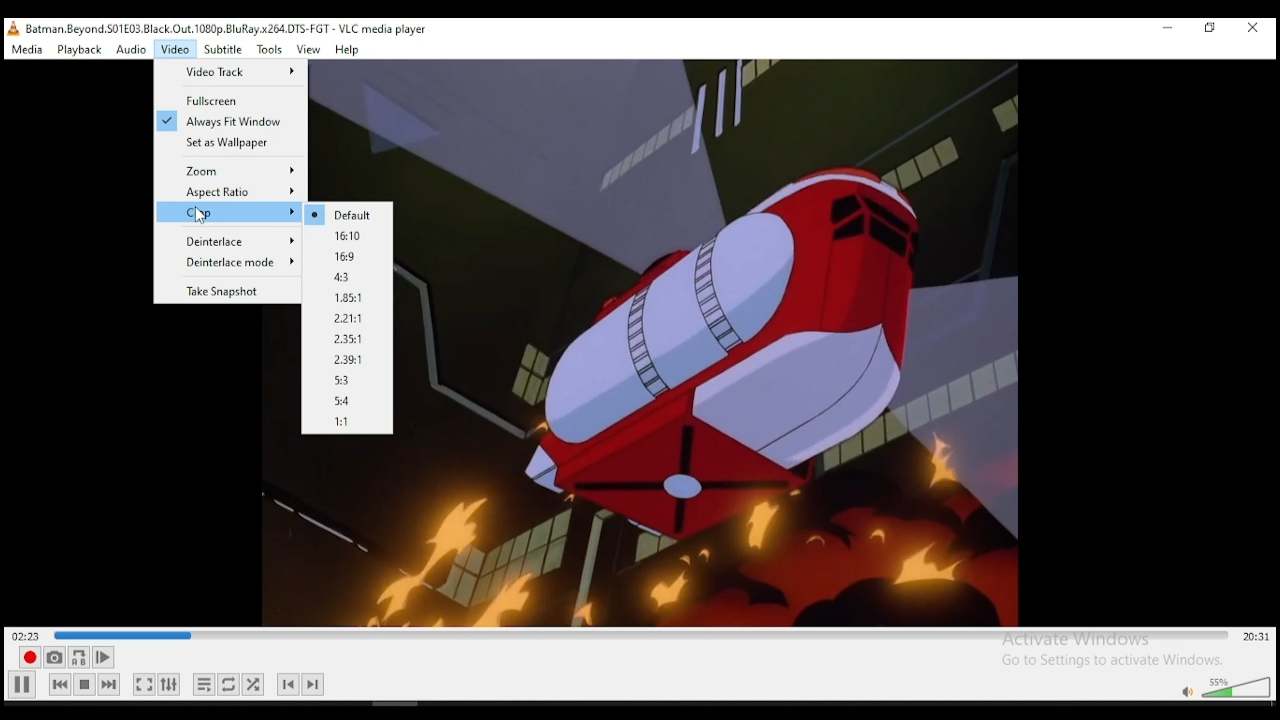 This screenshot has height=720, width=1280. Describe the element at coordinates (306, 49) in the screenshot. I see `view` at that location.